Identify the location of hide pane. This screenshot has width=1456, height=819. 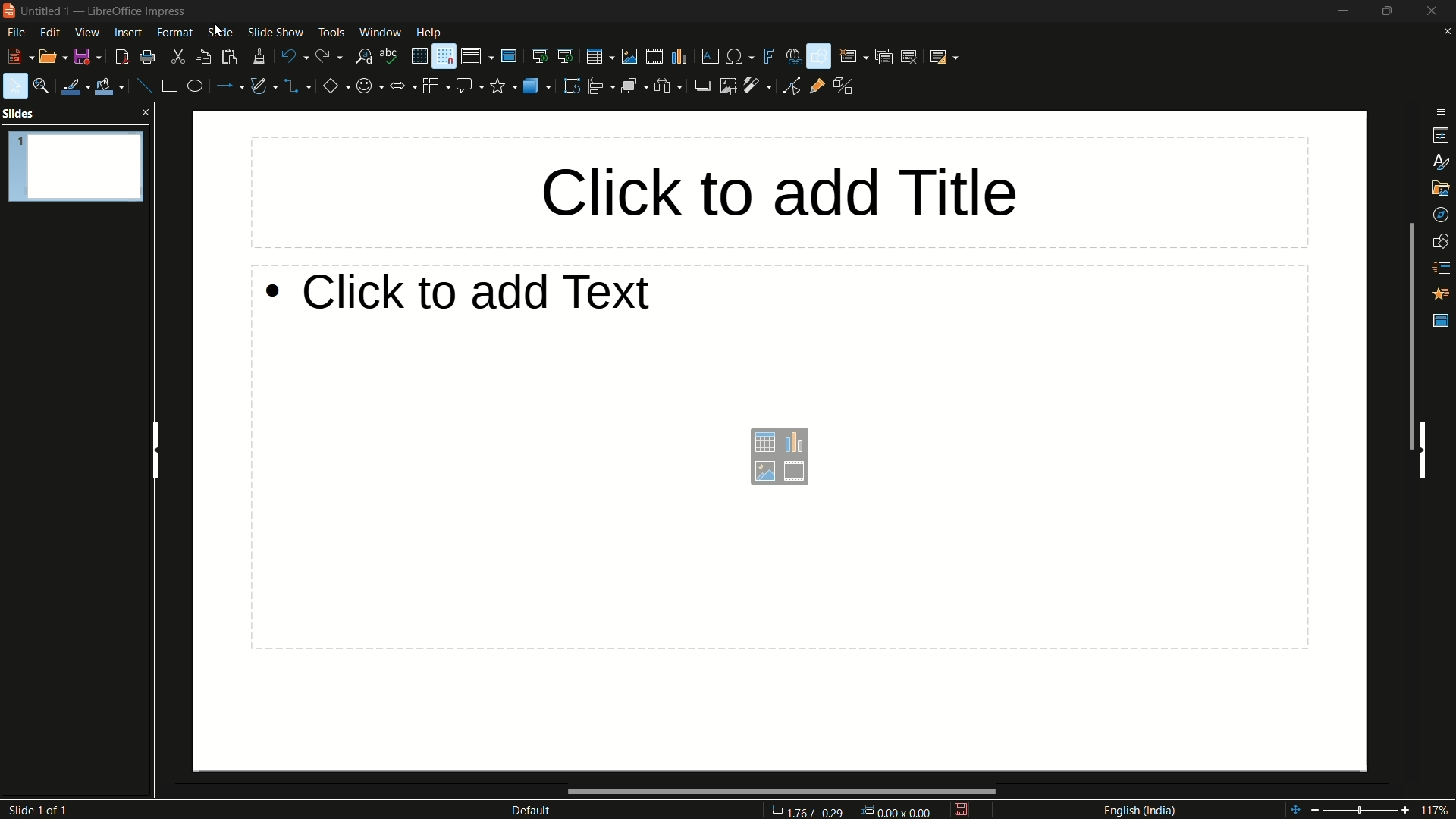
(158, 452).